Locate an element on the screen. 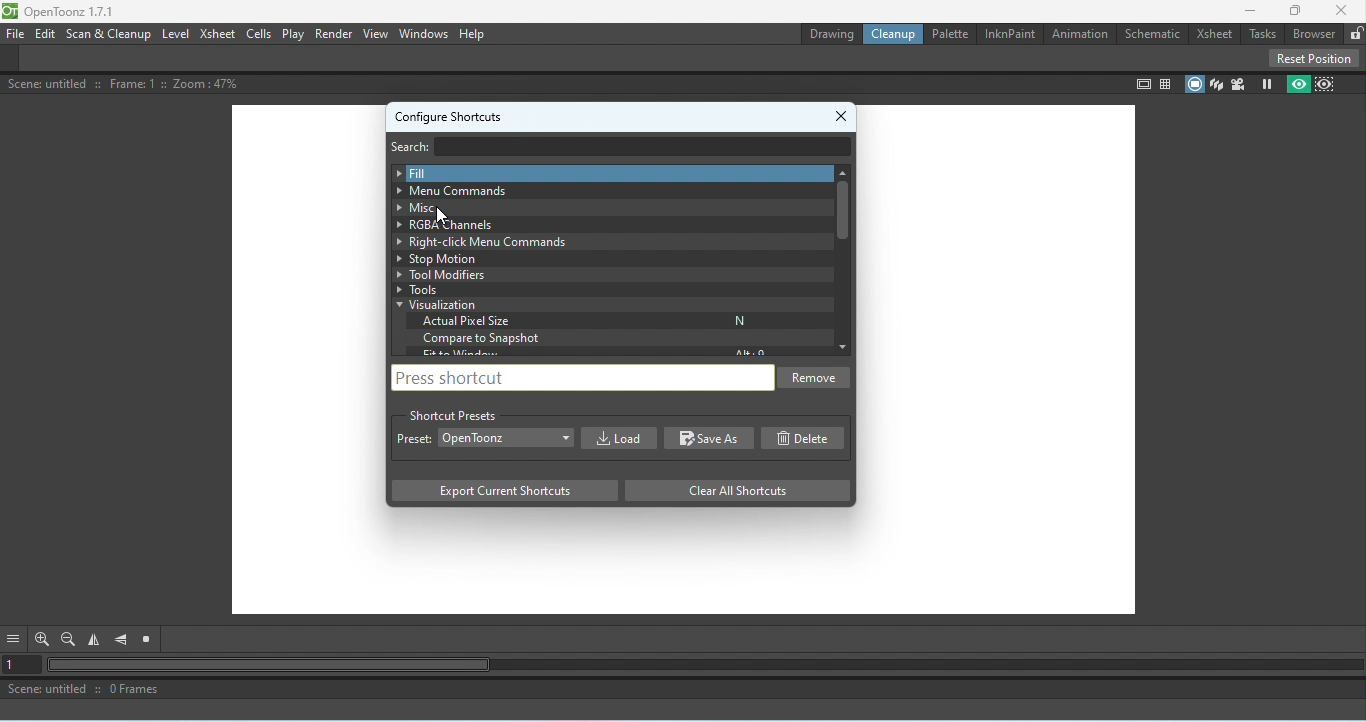 The width and height of the screenshot is (1366, 722). Cursor is located at coordinates (441, 216).